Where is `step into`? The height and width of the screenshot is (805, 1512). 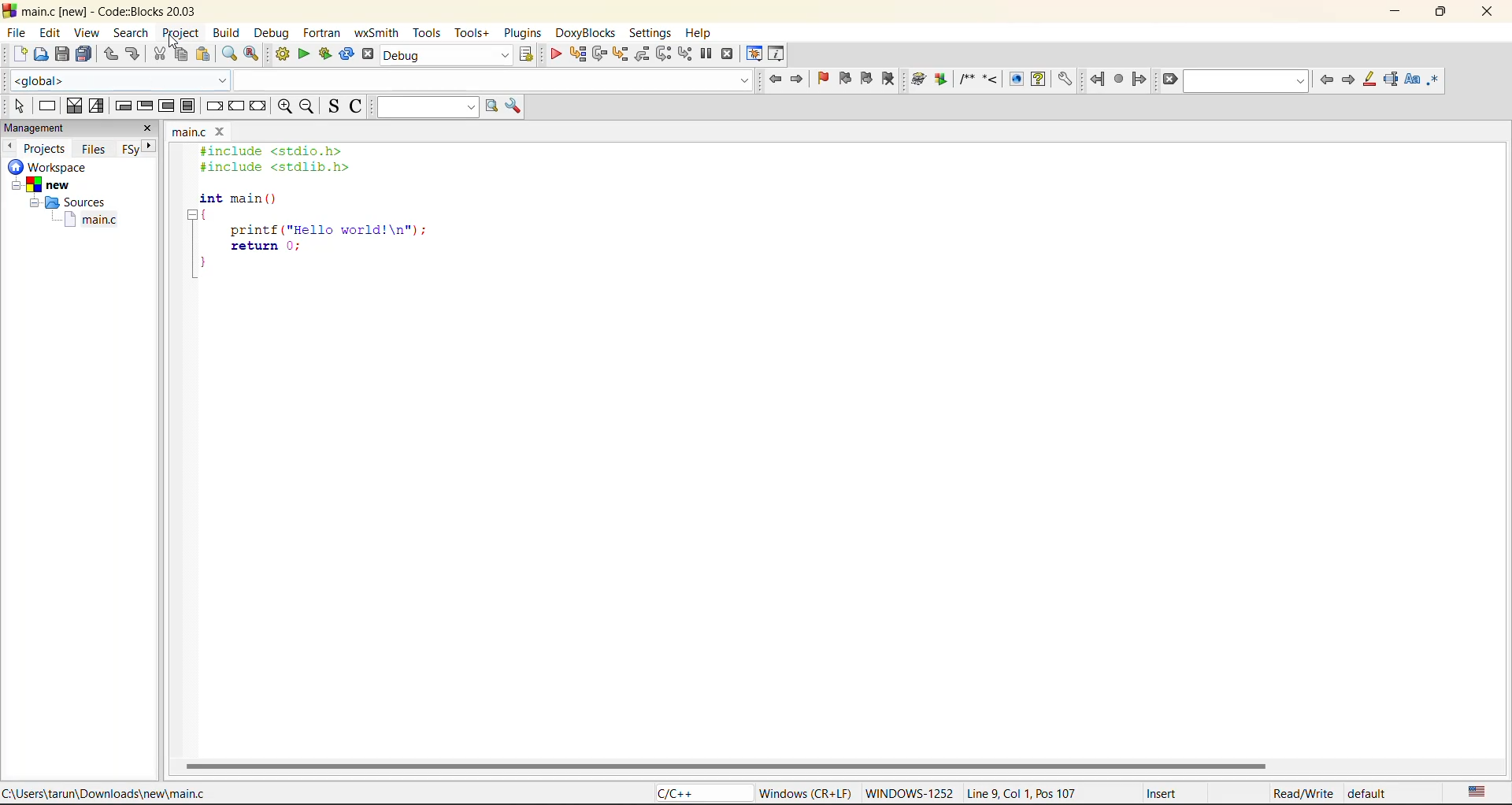
step into is located at coordinates (621, 54).